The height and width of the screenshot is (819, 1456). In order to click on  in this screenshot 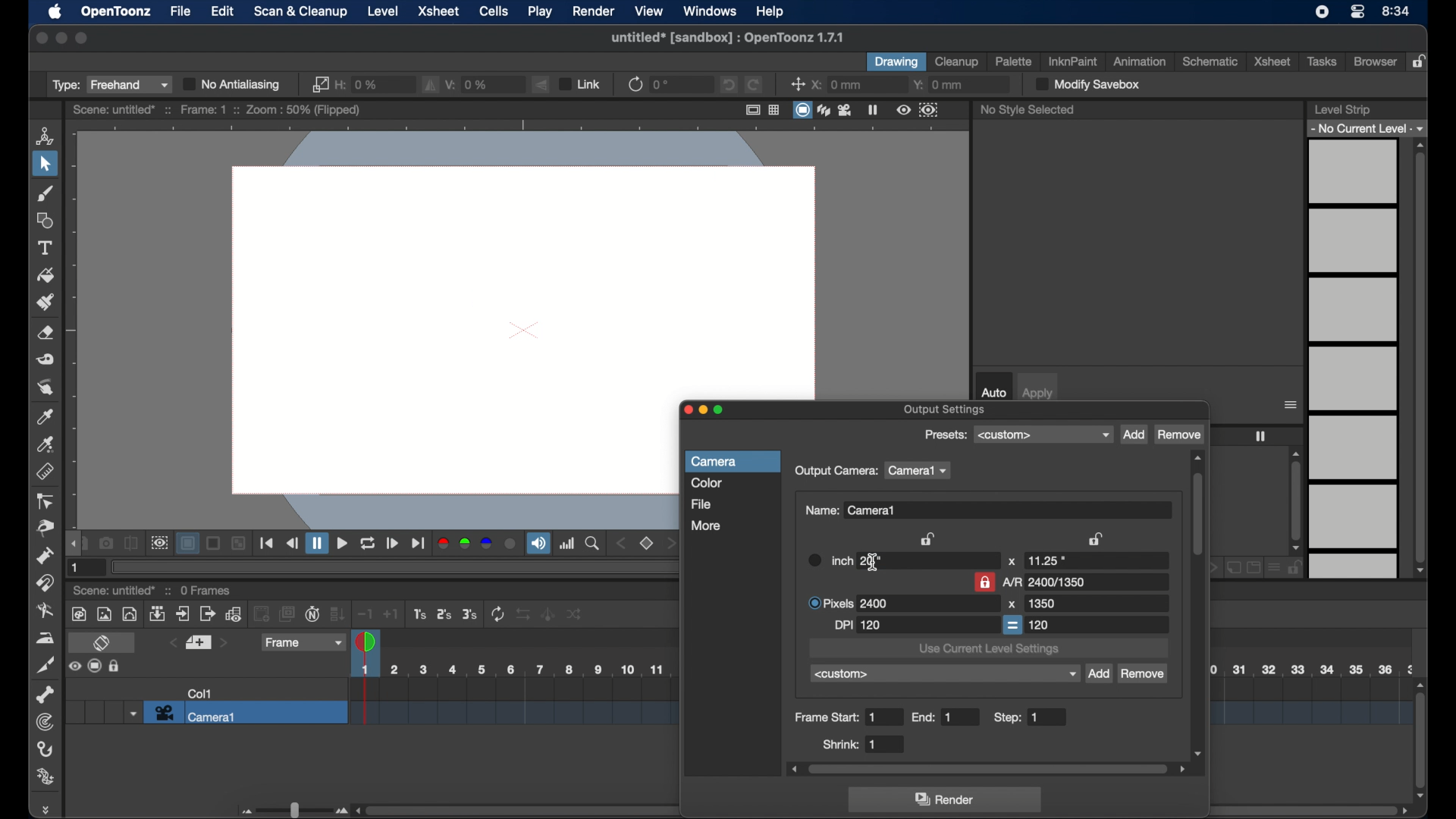, I will do `click(500, 614)`.